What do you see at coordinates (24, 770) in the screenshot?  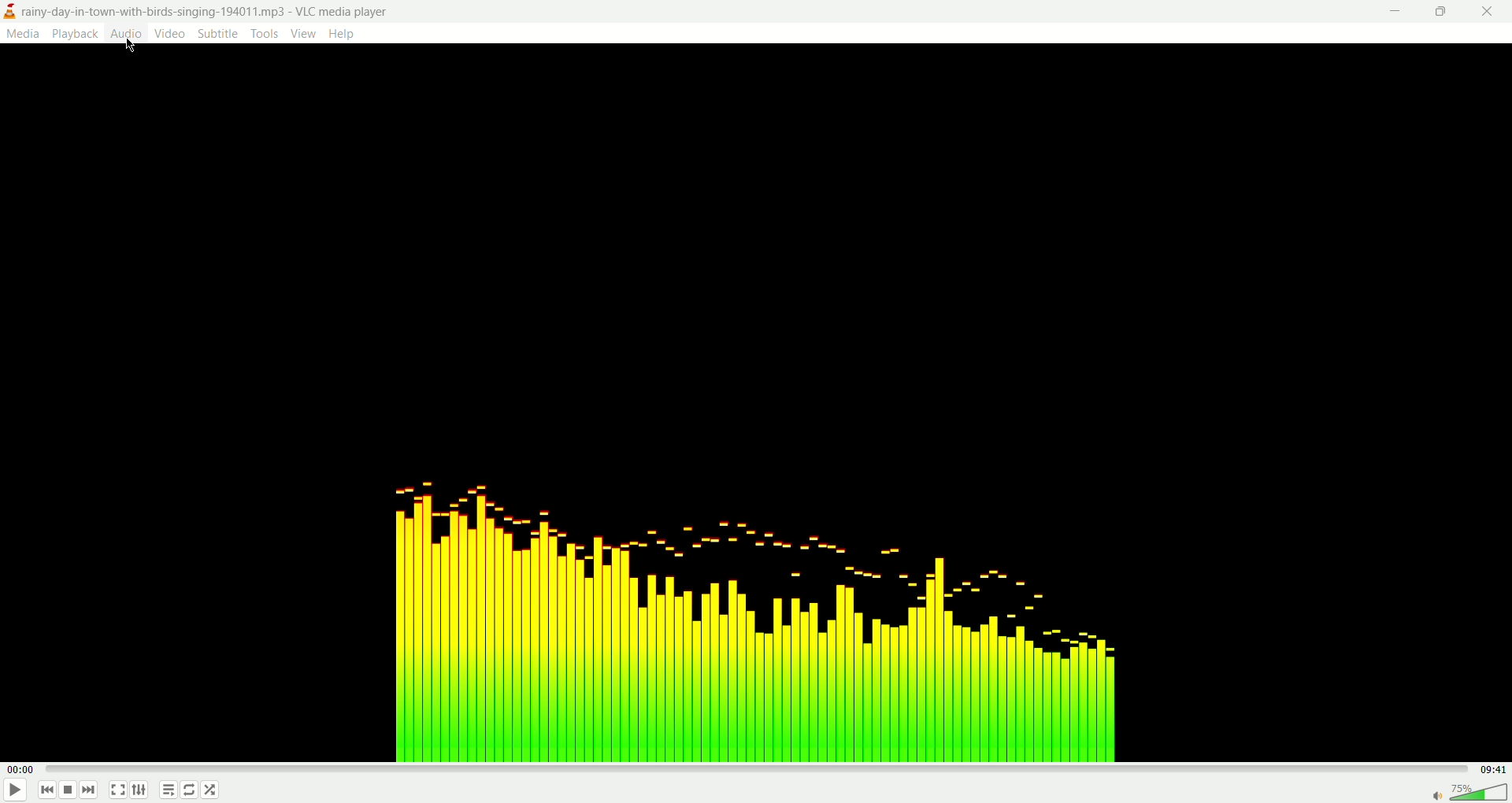 I see `played time` at bounding box center [24, 770].